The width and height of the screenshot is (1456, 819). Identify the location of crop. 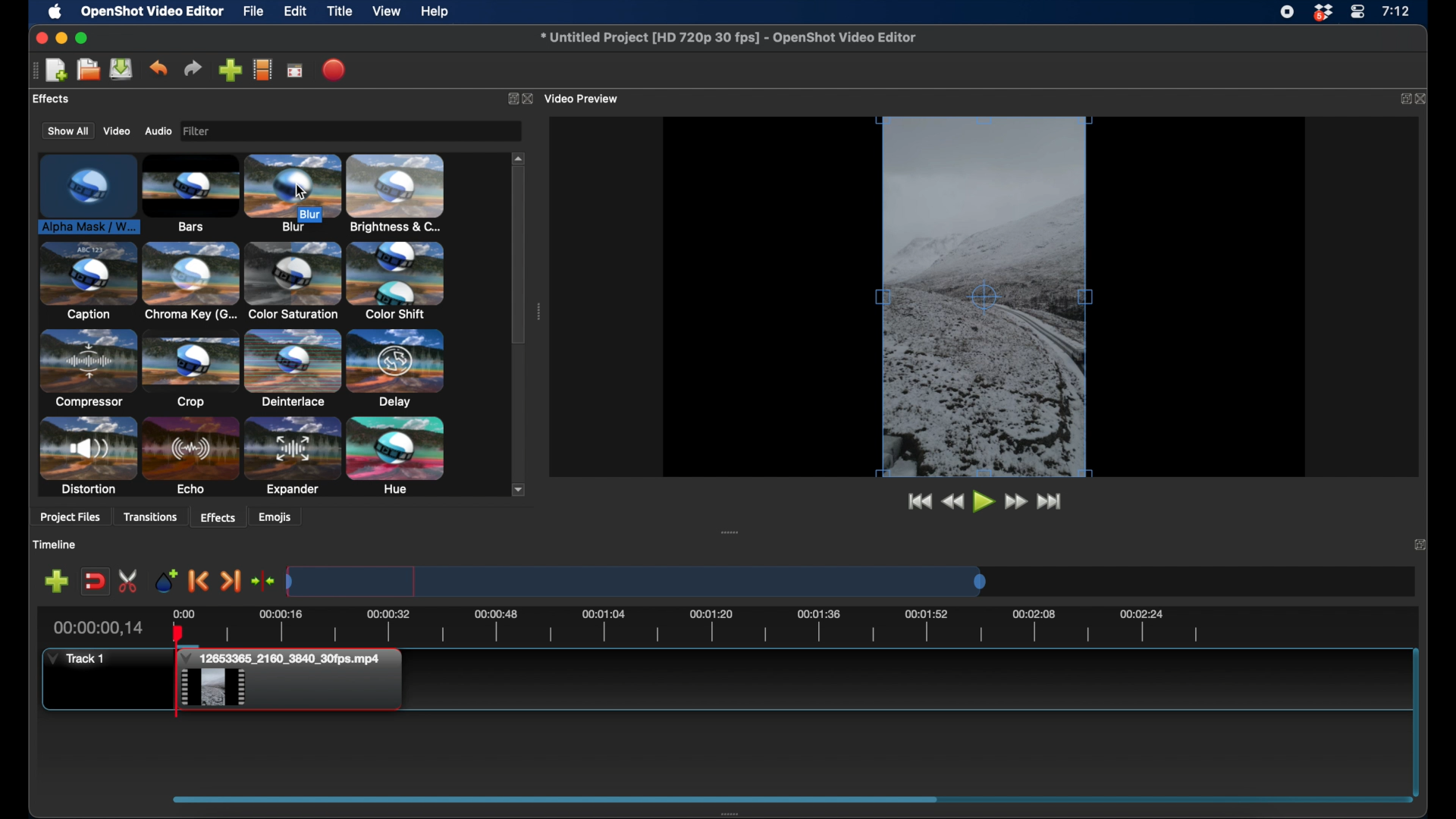
(190, 369).